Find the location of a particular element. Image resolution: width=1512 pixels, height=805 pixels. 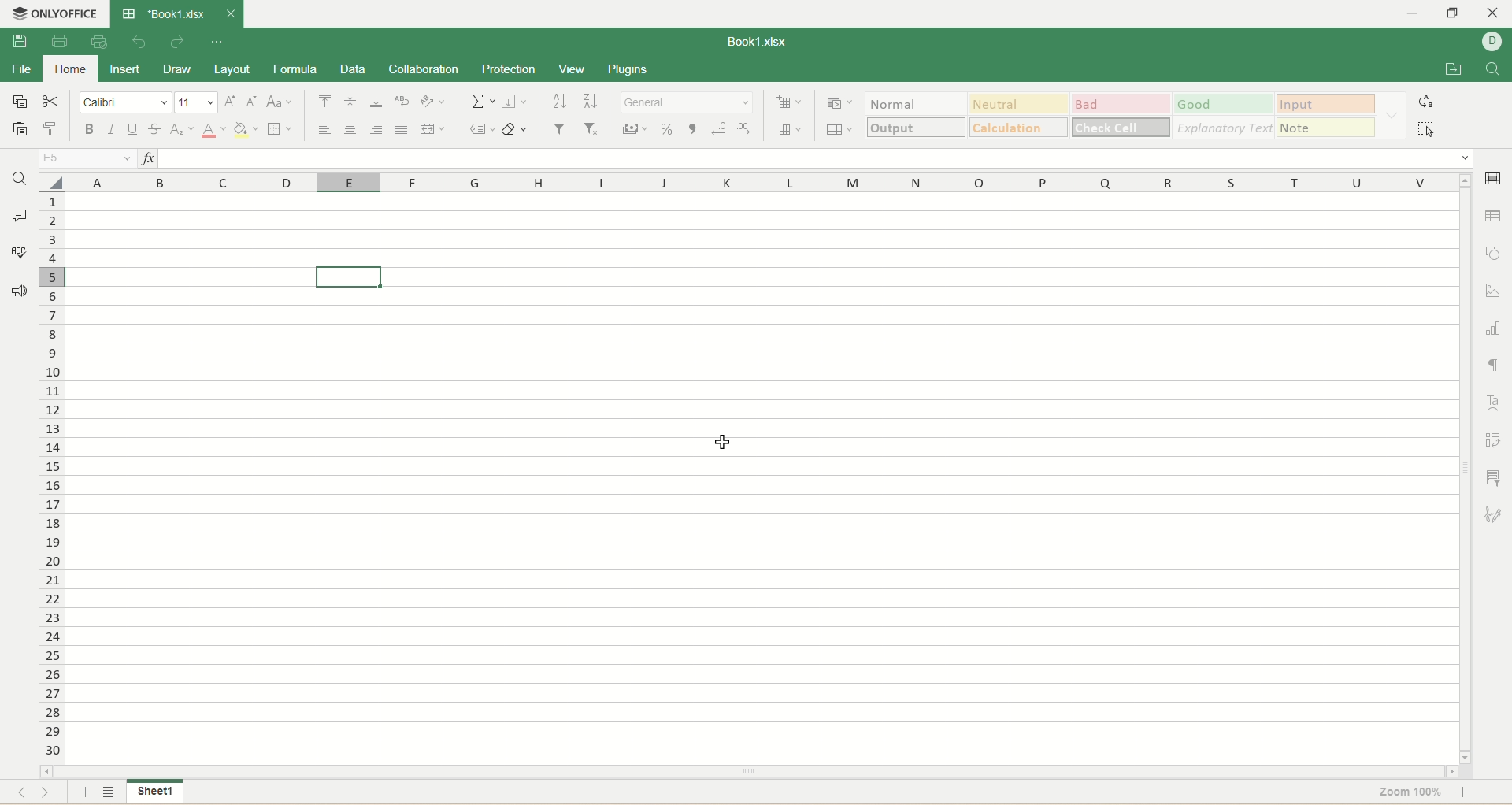

slicer settings is located at coordinates (1495, 476).